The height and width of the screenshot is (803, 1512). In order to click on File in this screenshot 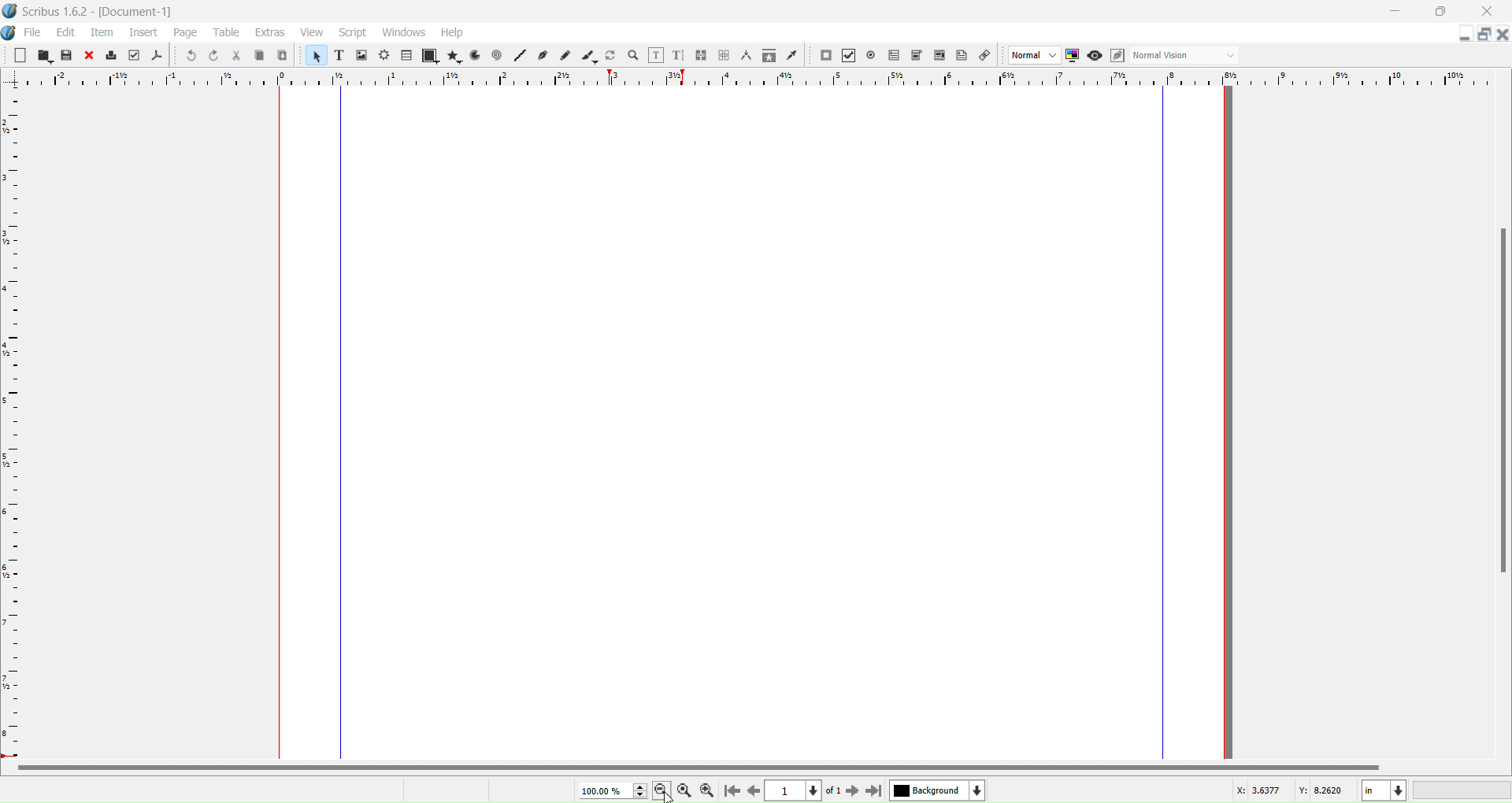, I will do `click(33, 32)`.